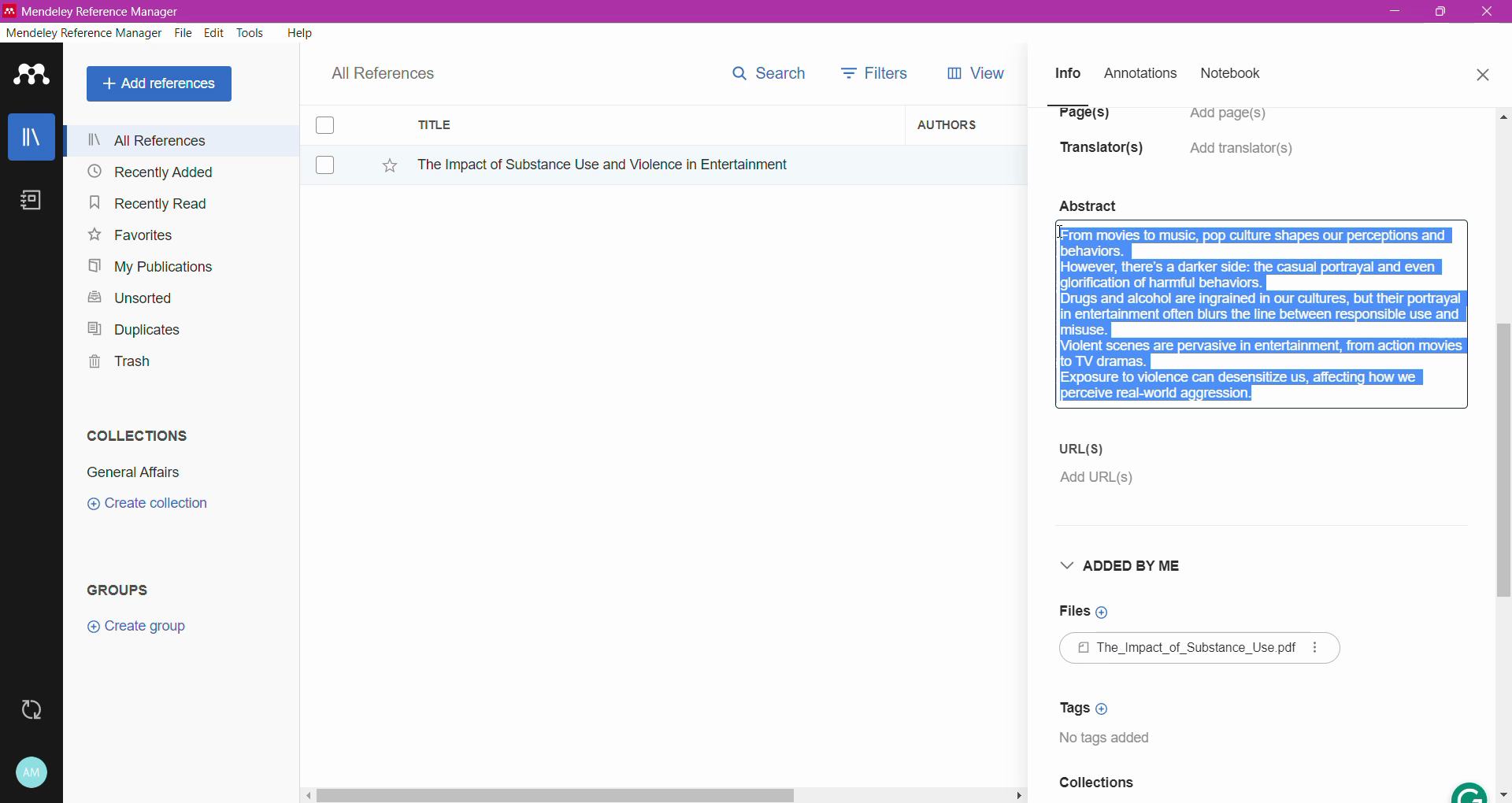  I want to click on Collections, so click(1096, 787).